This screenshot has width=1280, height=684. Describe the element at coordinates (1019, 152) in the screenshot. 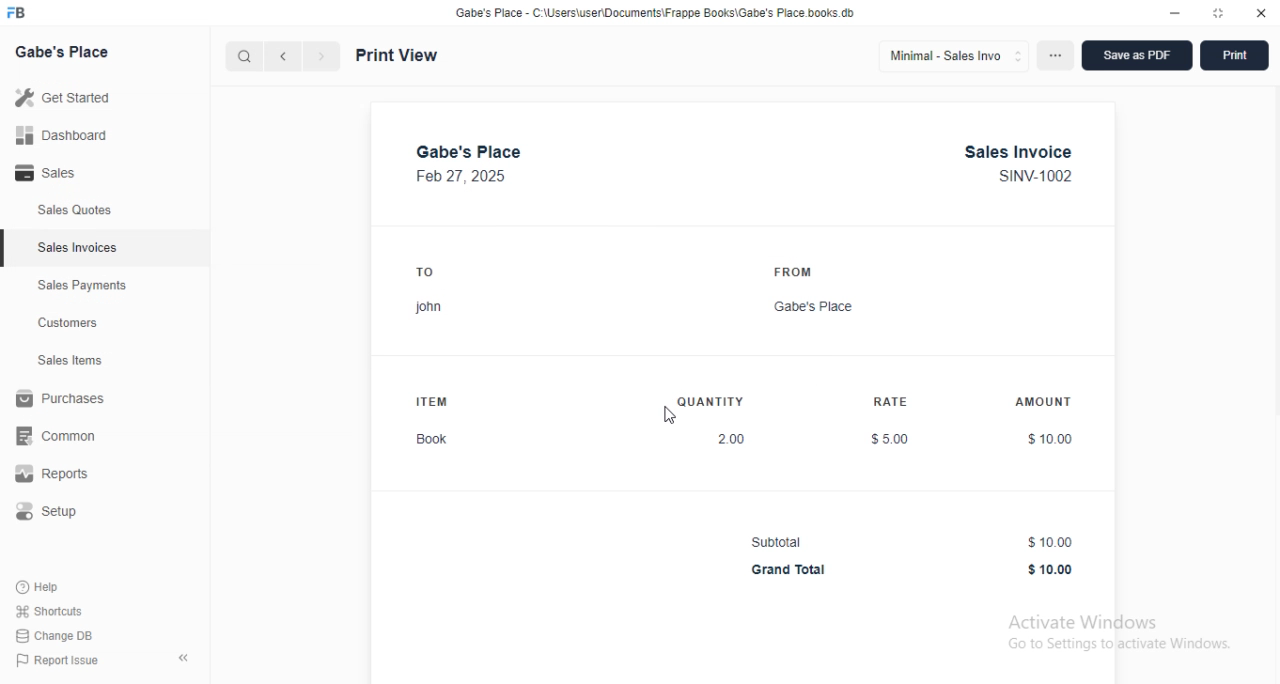

I see `Sales Invoice` at that location.